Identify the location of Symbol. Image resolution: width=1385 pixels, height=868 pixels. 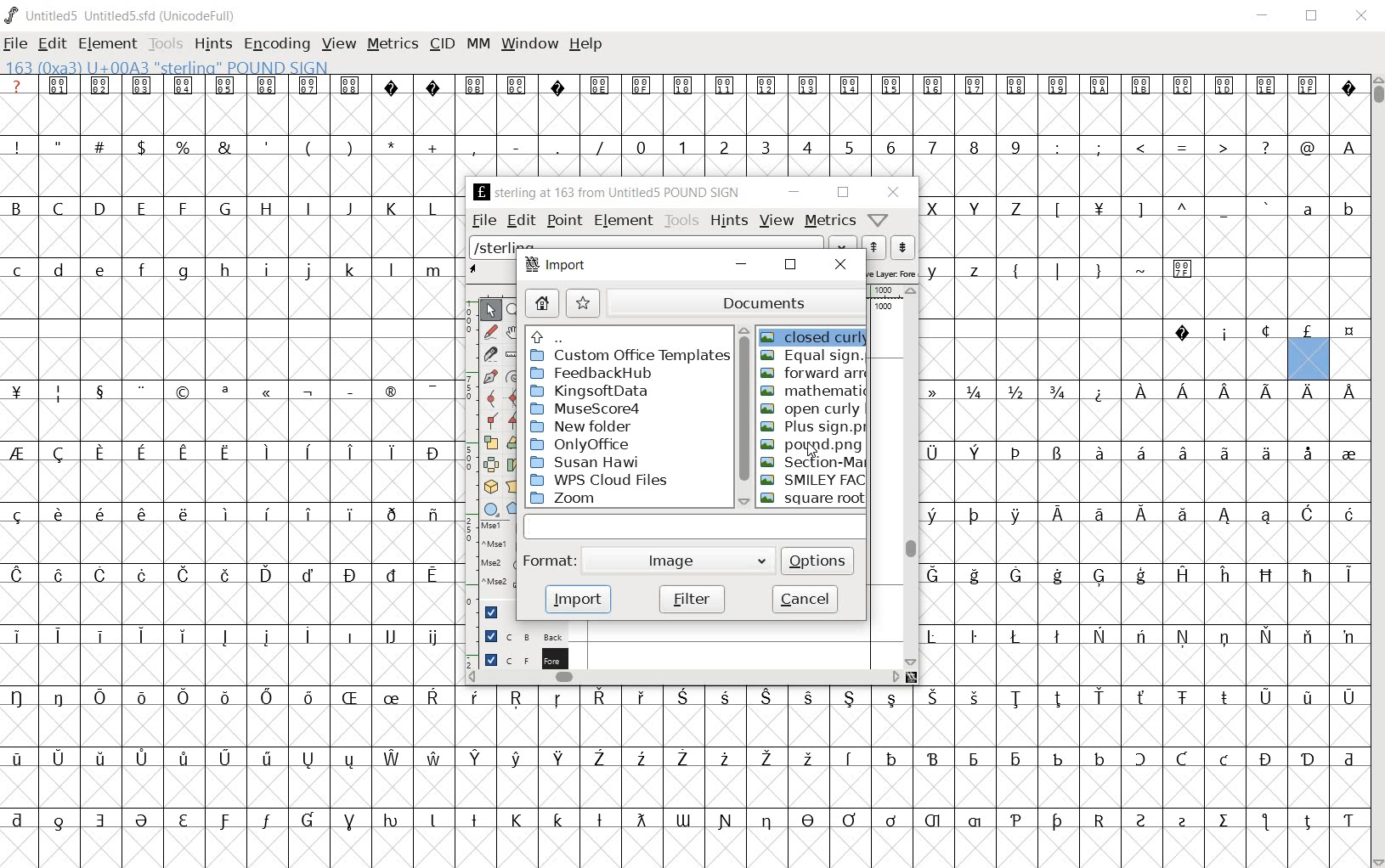
(975, 697).